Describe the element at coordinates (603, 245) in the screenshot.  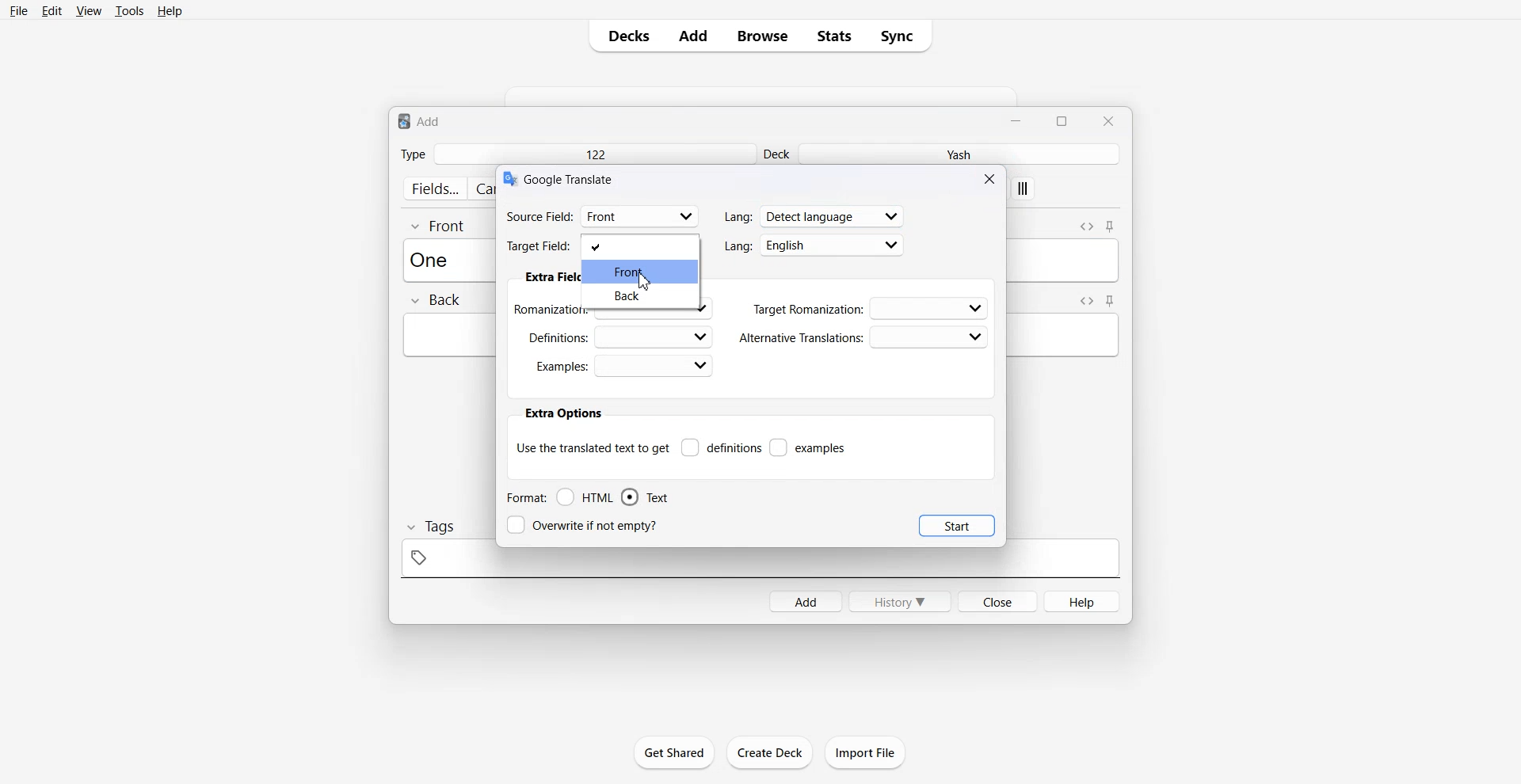
I see `Target Field` at that location.